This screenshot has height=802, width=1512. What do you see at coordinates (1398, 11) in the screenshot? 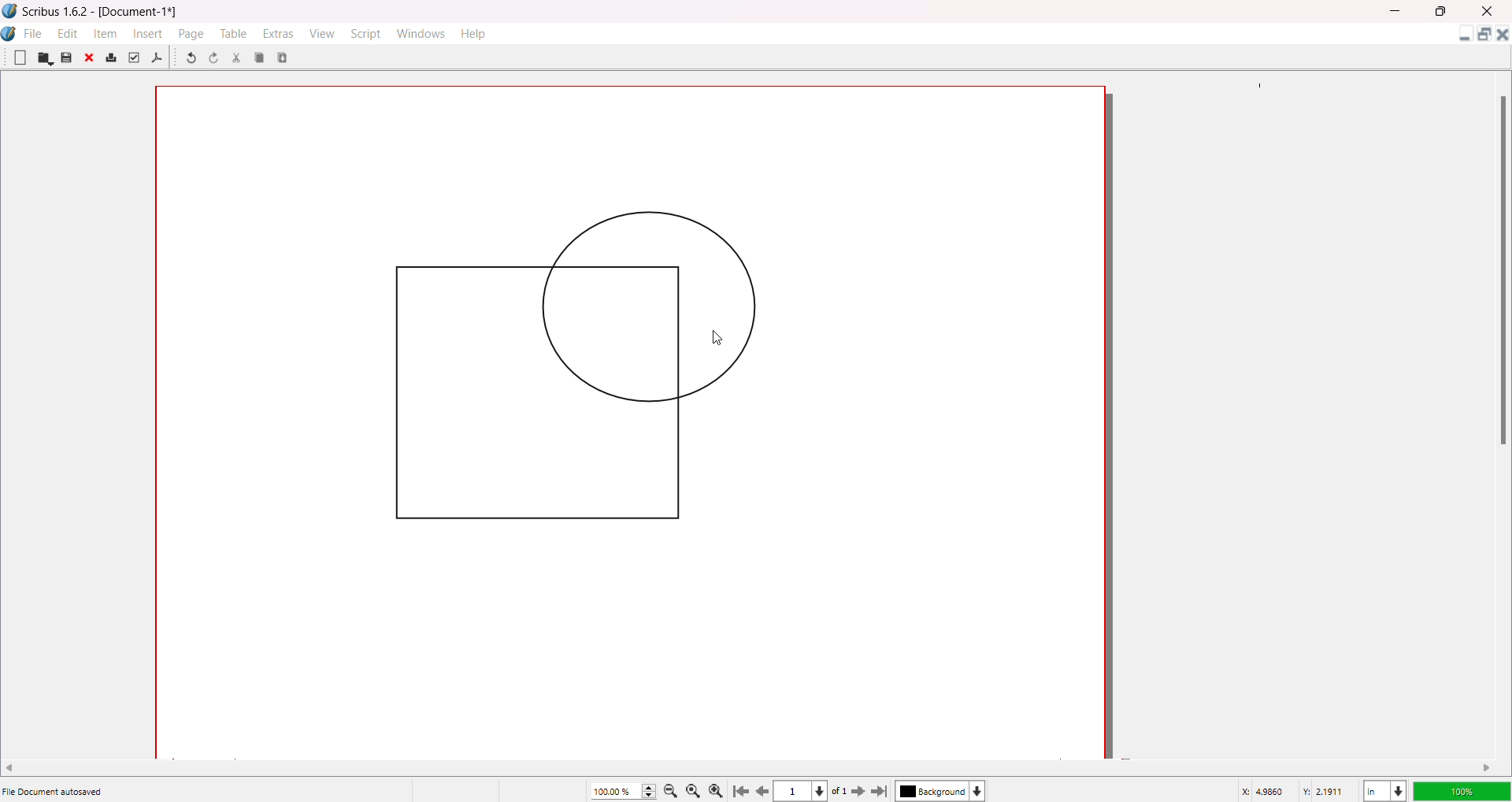
I see `MInimize` at bounding box center [1398, 11].